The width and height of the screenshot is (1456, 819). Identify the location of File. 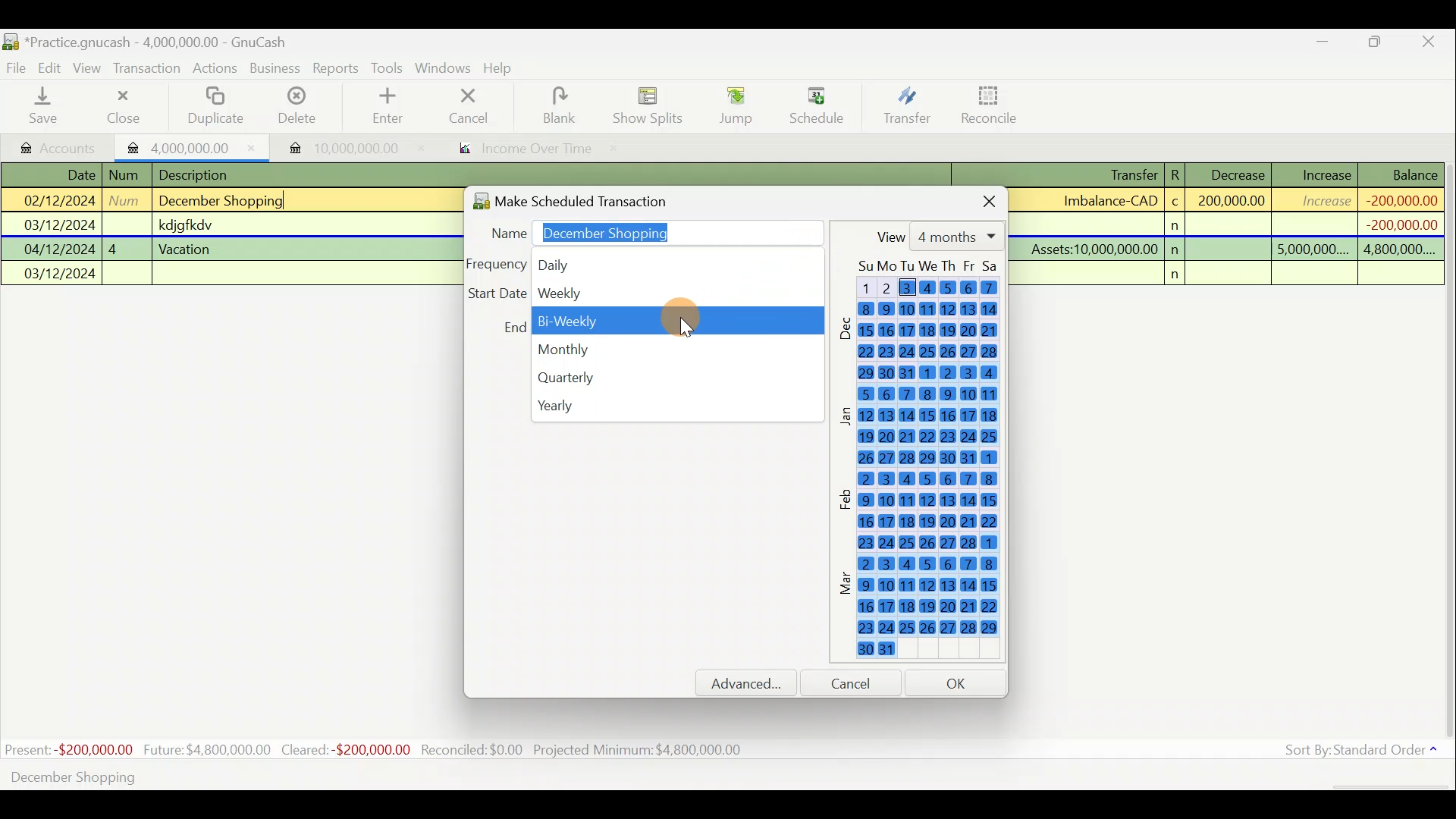
(17, 68).